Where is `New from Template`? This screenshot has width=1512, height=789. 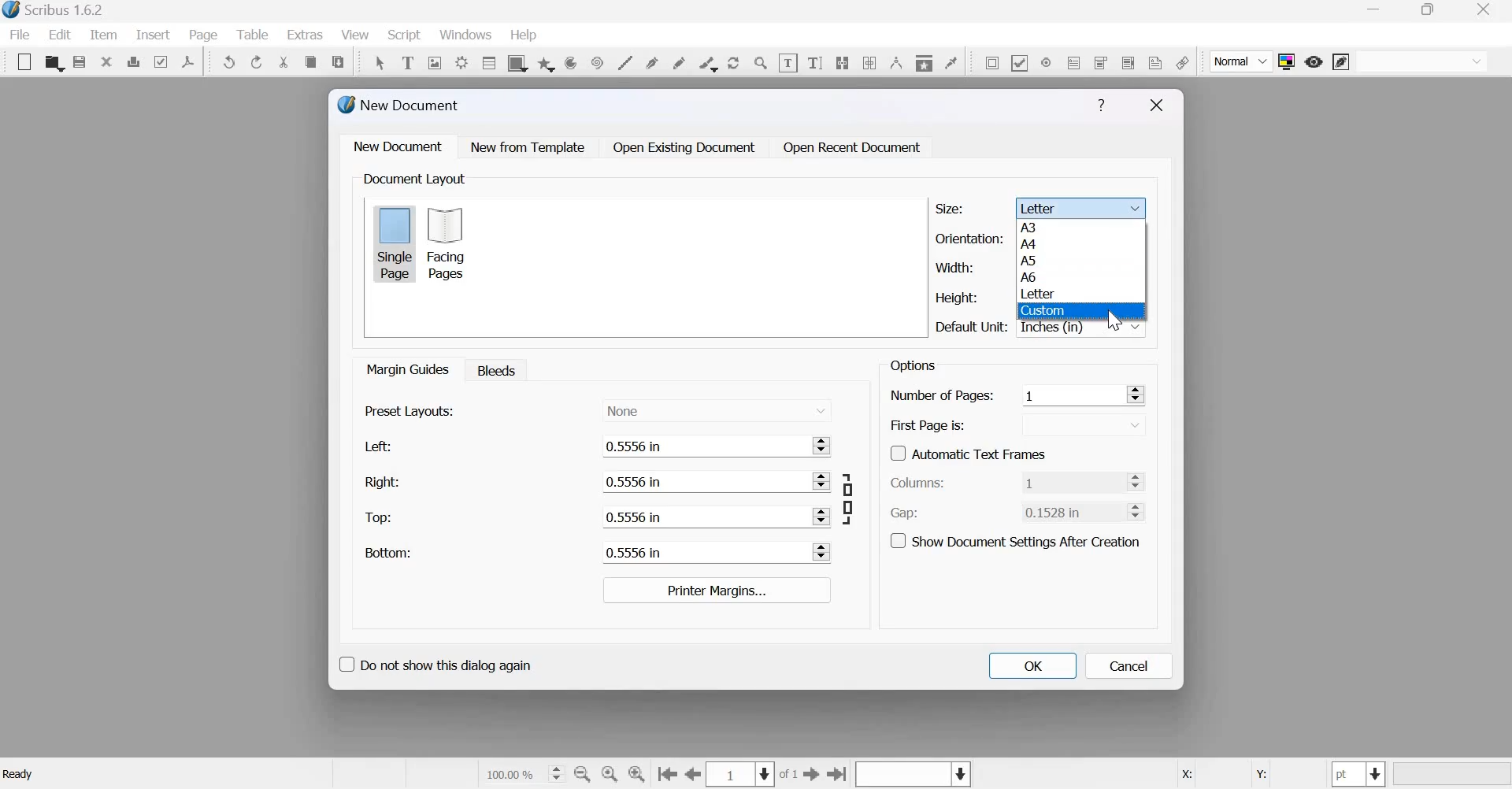
New from Template is located at coordinates (531, 146).